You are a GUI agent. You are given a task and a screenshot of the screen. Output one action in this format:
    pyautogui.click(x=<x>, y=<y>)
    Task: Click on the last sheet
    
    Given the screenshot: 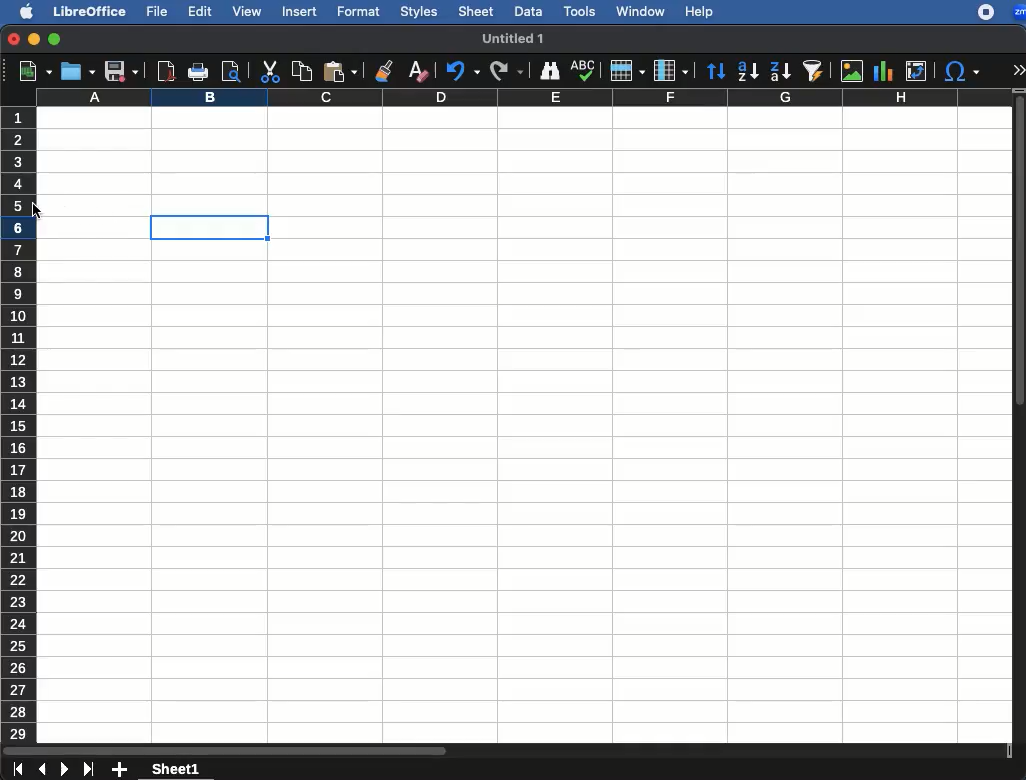 What is the action you would take?
    pyautogui.click(x=88, y=771)
    